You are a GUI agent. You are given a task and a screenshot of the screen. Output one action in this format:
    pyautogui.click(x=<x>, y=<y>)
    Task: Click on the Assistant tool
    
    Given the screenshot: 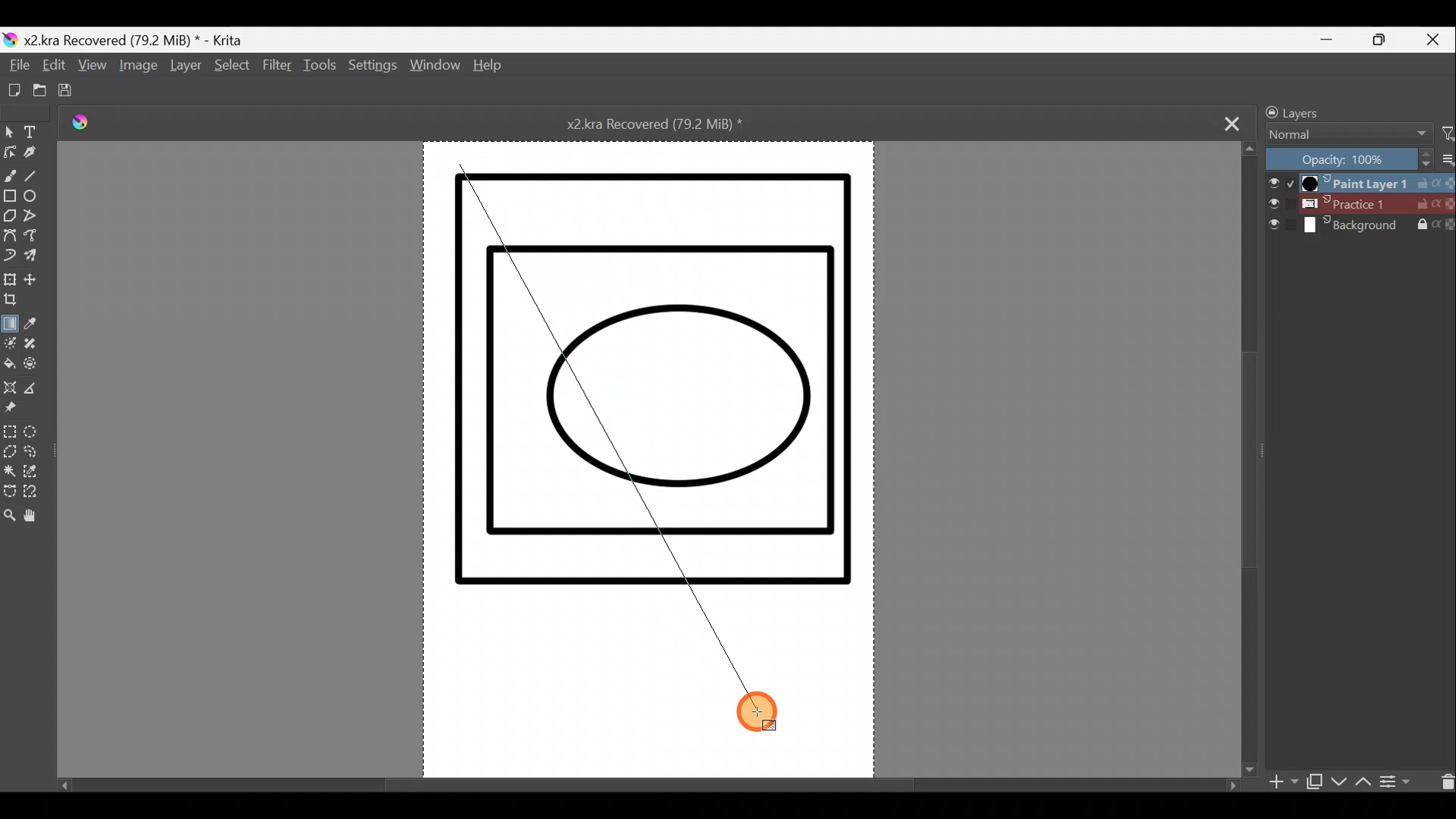 What is the action you would take?
    pyautogui.click(x=10, y=390)
    